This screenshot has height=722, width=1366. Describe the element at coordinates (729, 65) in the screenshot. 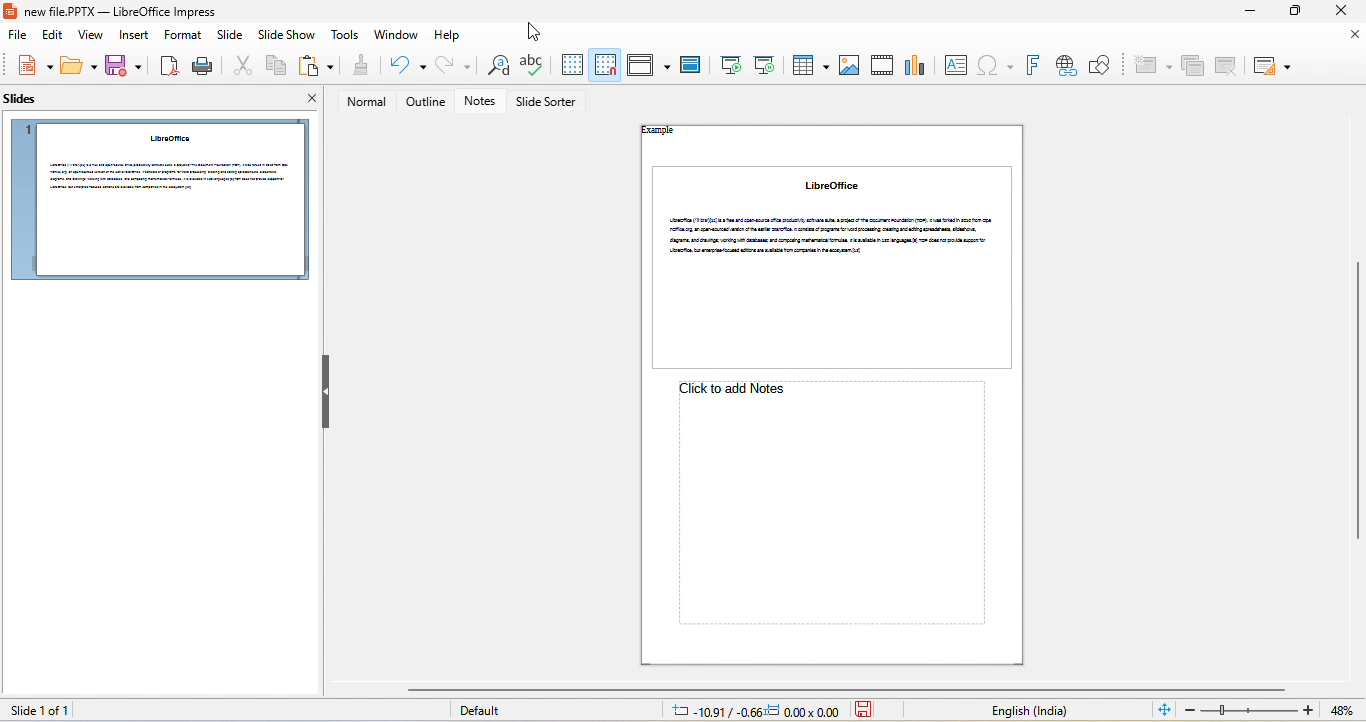

I see `start from first slide` at that location.